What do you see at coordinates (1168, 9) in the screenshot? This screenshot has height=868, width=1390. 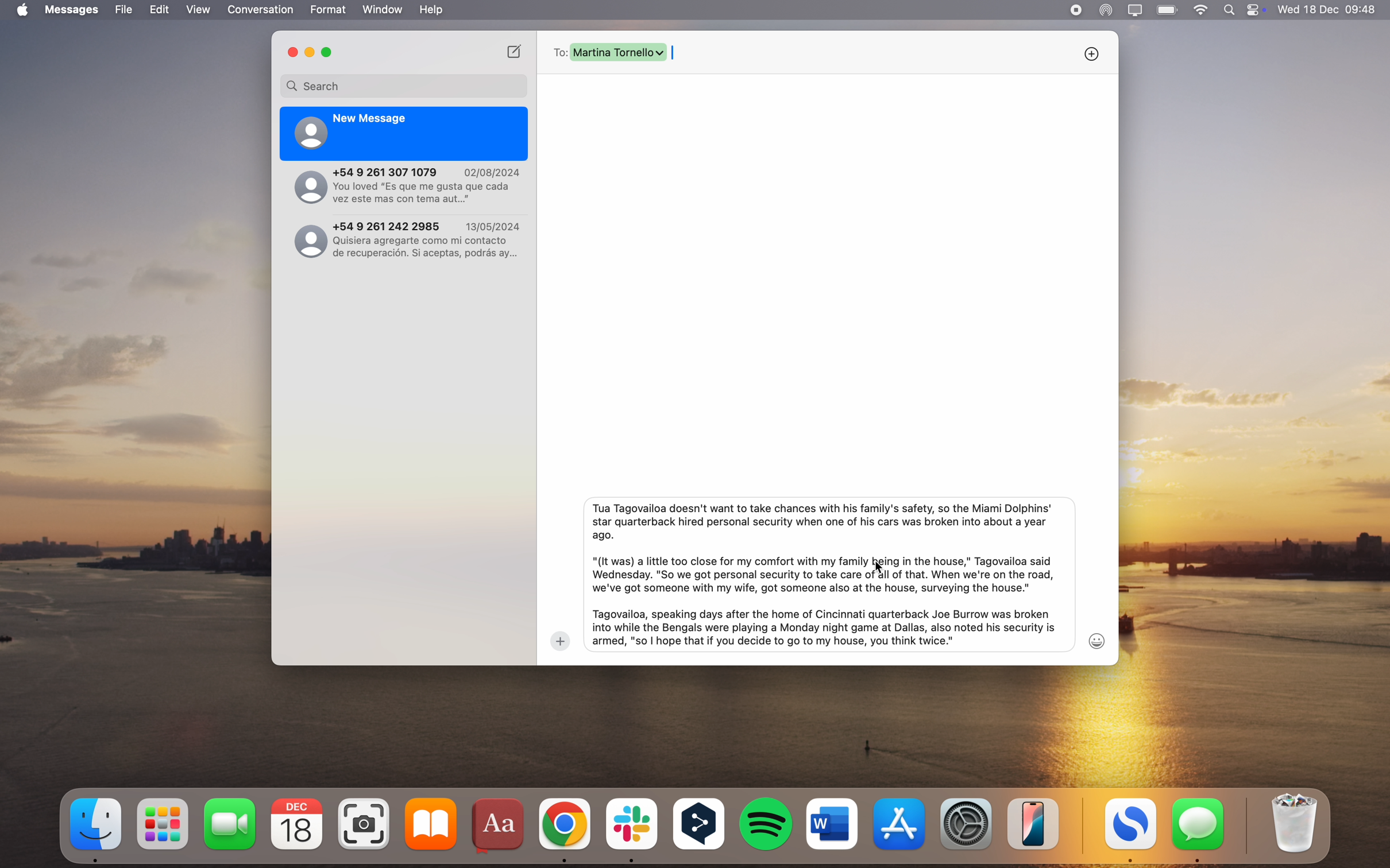 I see `battery` at bounding box center [1168, 9].